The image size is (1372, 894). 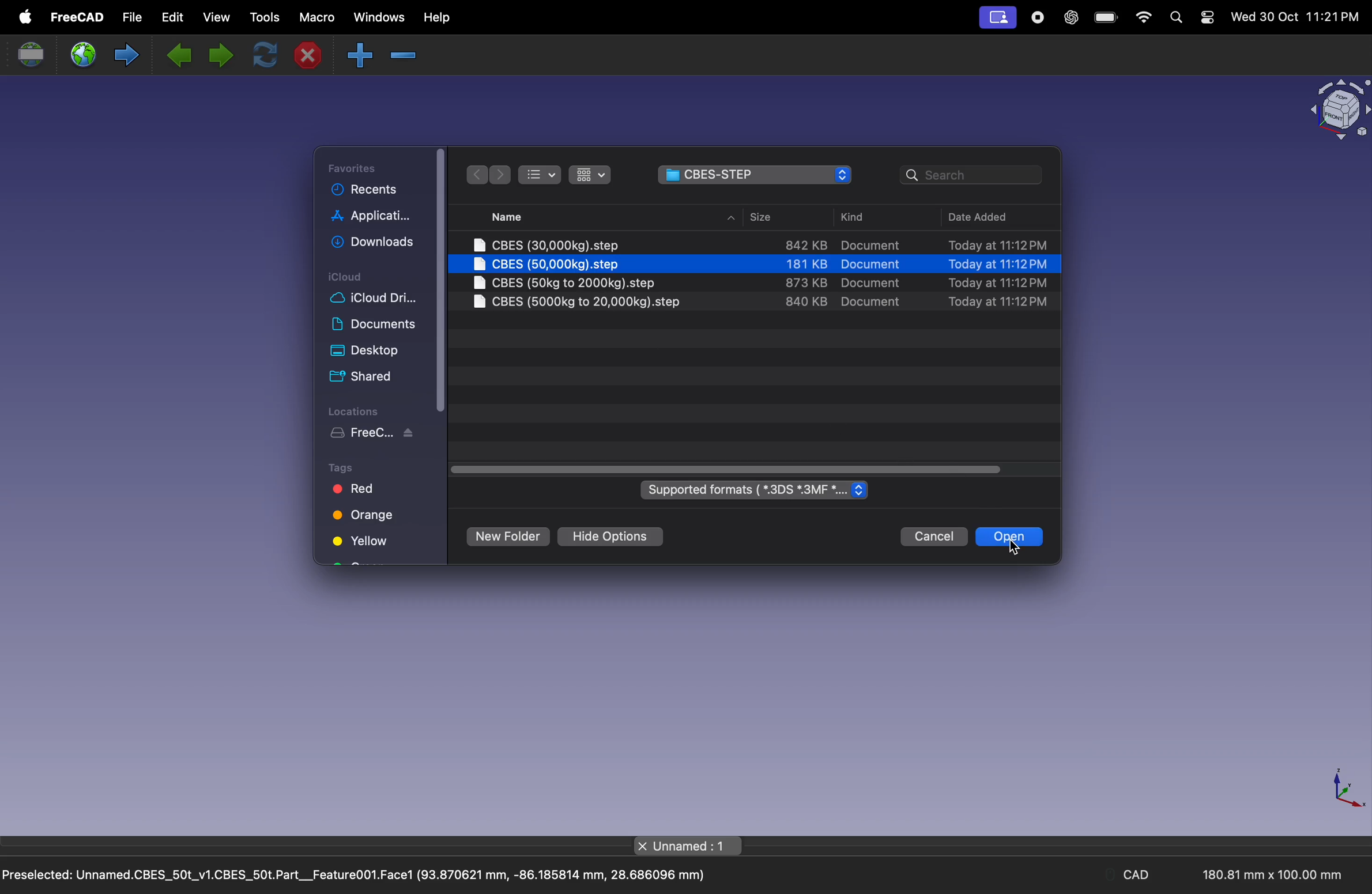 I want to click on backward, so click(x=478, y=176).